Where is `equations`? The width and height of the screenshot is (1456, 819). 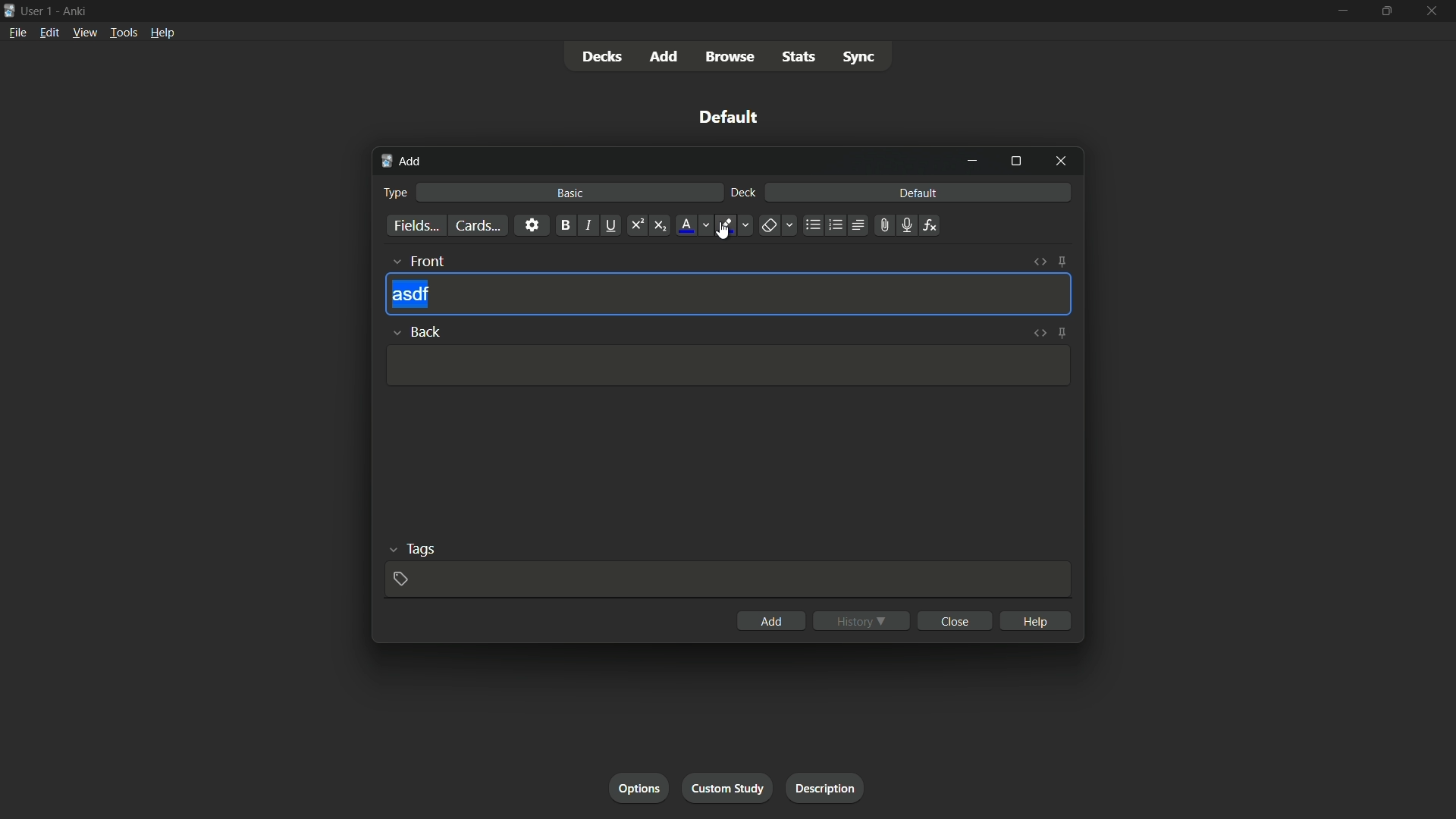
equations is located at coordinates (932, 225).